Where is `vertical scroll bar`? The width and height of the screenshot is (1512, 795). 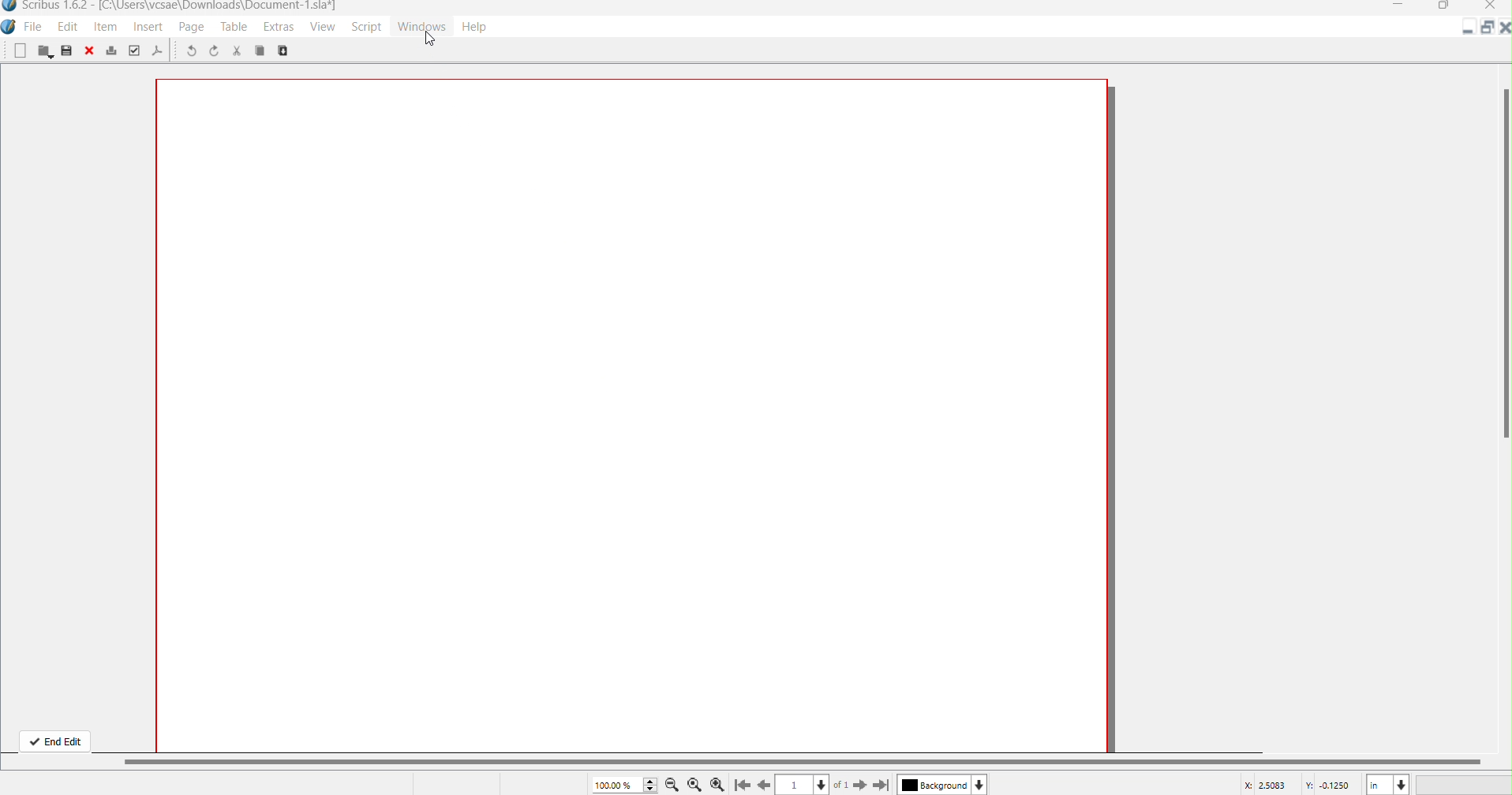 vertical scroll bar is located at coordinates (815, 760).